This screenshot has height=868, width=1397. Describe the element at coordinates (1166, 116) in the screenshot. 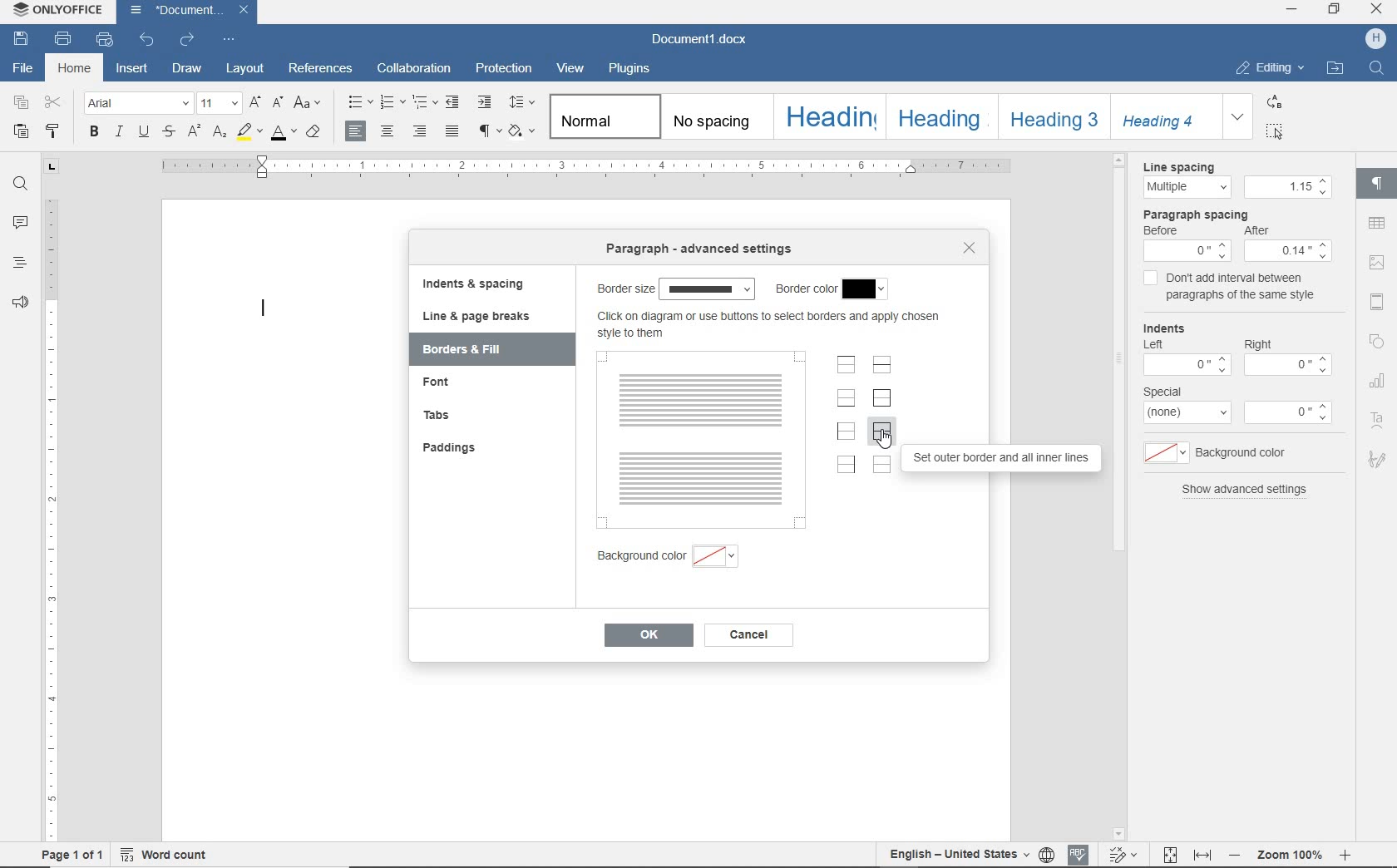

I see `Heading 4` at that location.